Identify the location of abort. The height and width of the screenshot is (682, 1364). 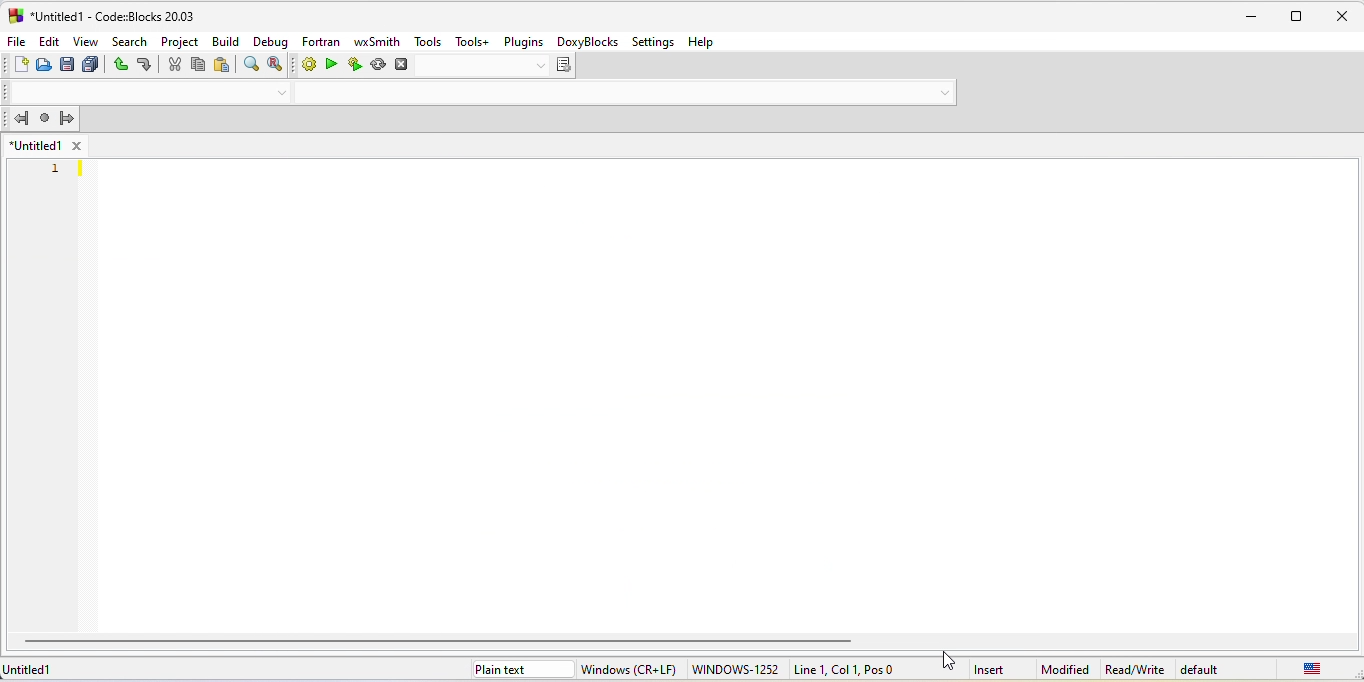
(400, 64).